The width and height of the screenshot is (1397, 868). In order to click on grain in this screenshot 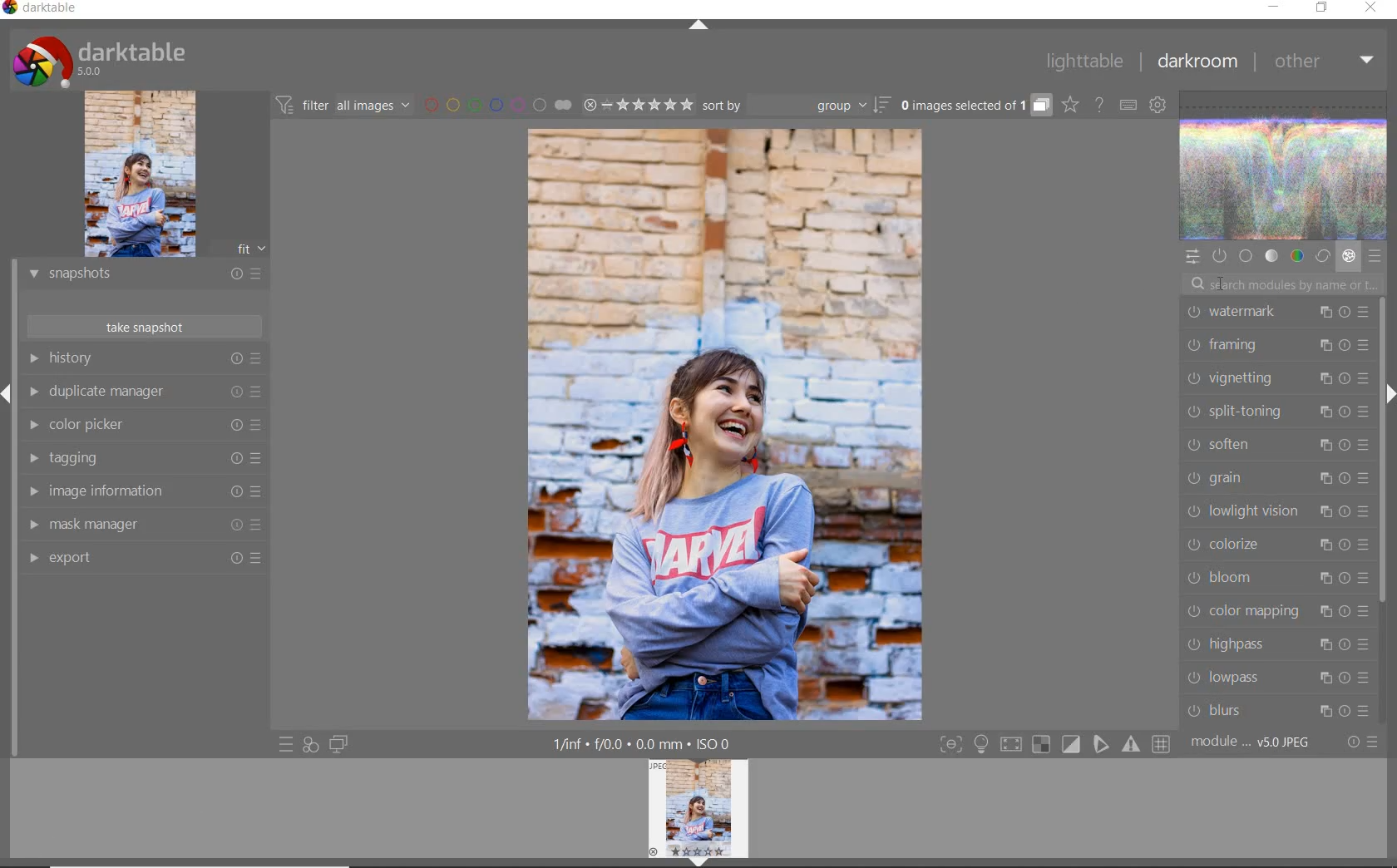, I will do `click(1278, 477)`.